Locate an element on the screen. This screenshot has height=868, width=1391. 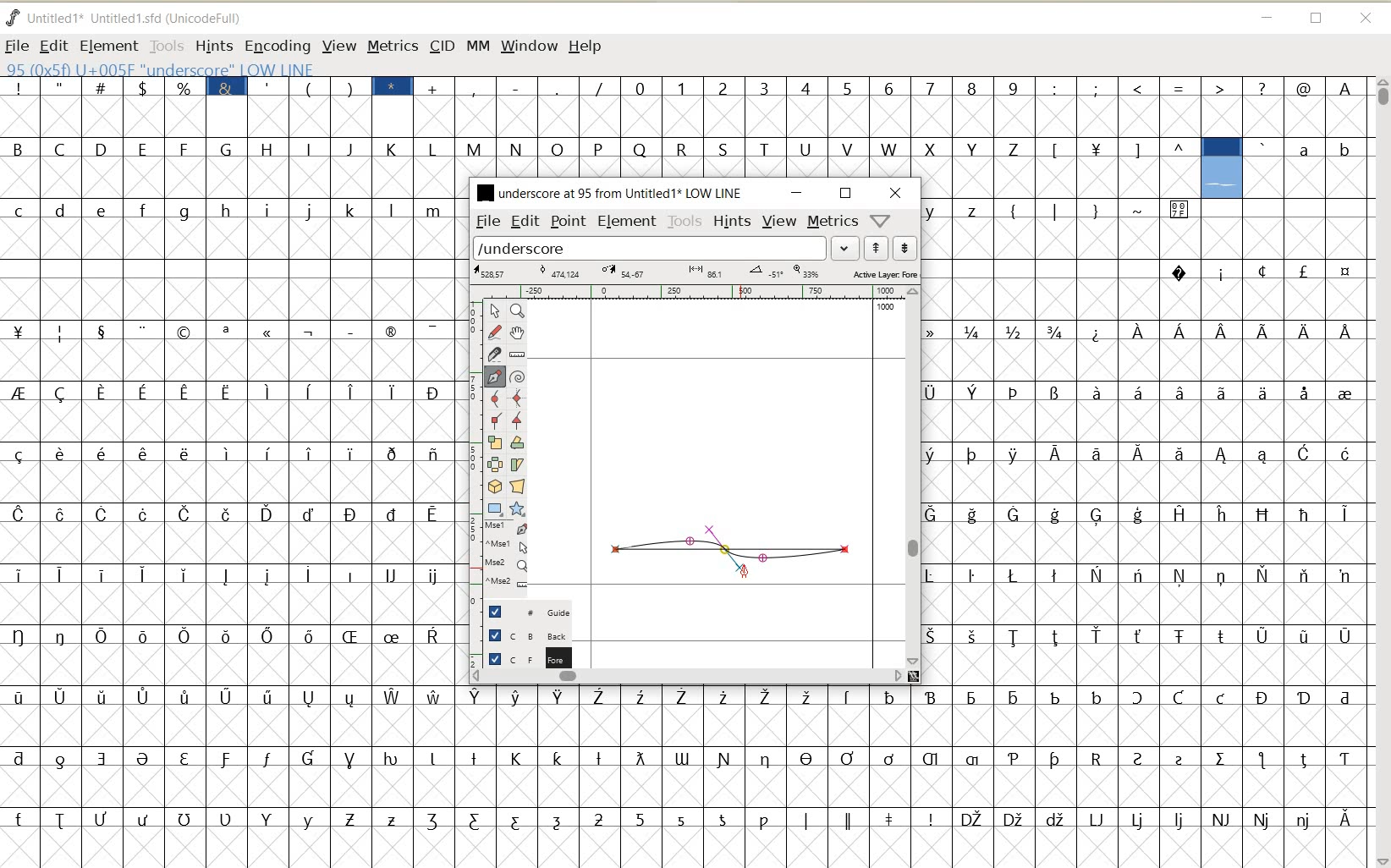
polygon or star is located at coordinates (516, 508).